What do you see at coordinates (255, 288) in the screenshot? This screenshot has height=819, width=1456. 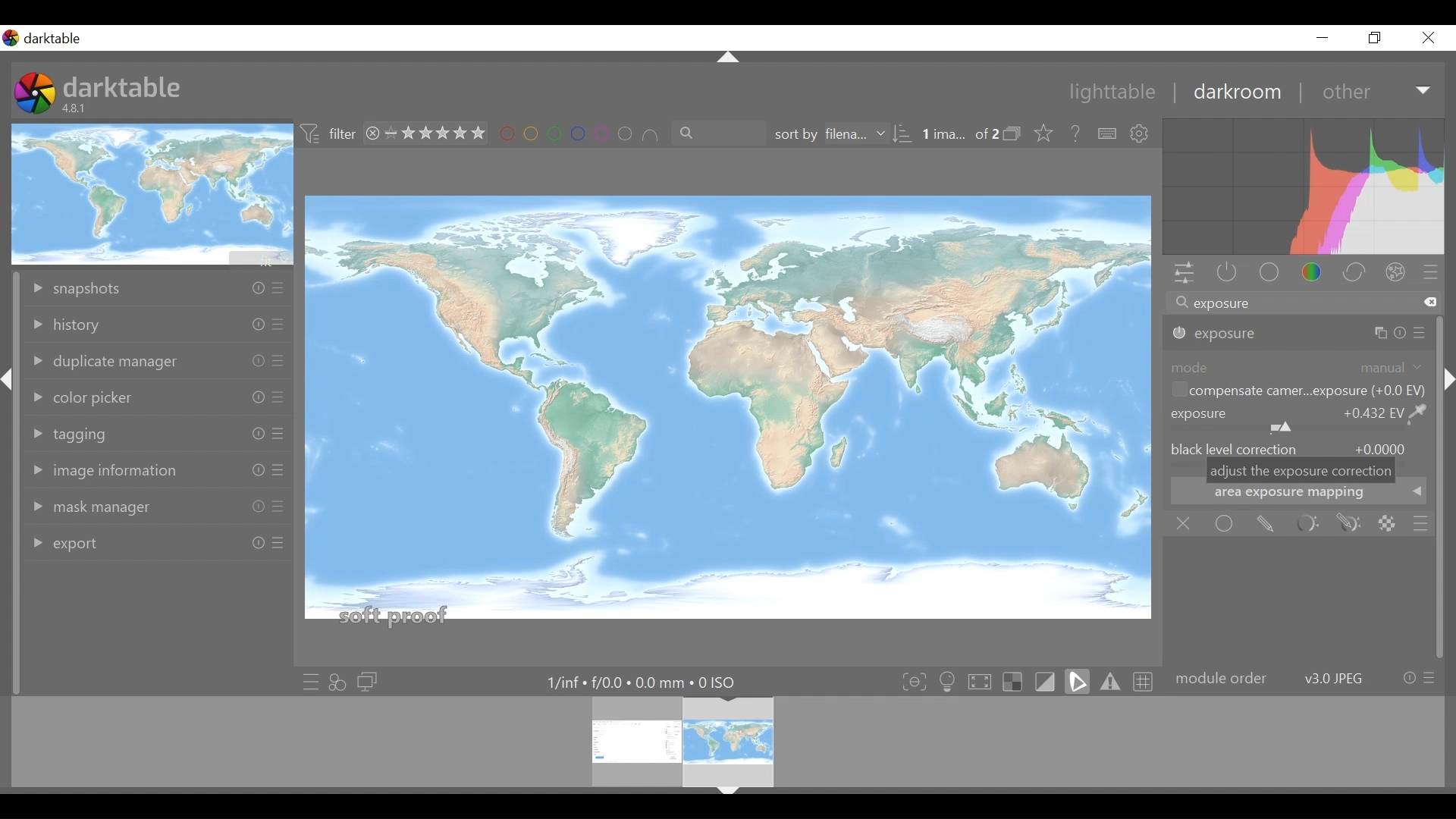 I see `` at bounding box center [255, 288].